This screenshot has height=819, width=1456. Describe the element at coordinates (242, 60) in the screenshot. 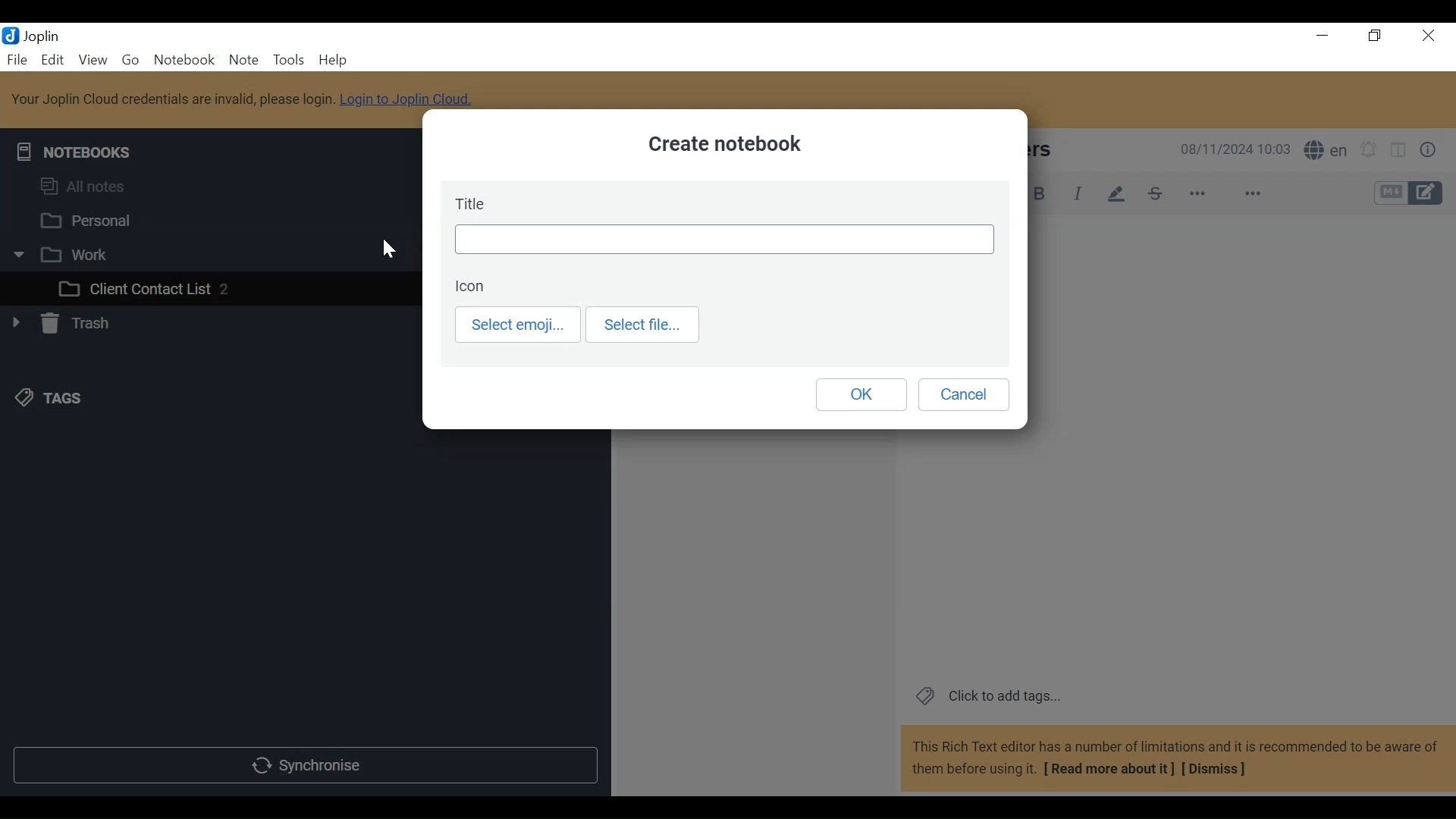

I see `Note` at that location.